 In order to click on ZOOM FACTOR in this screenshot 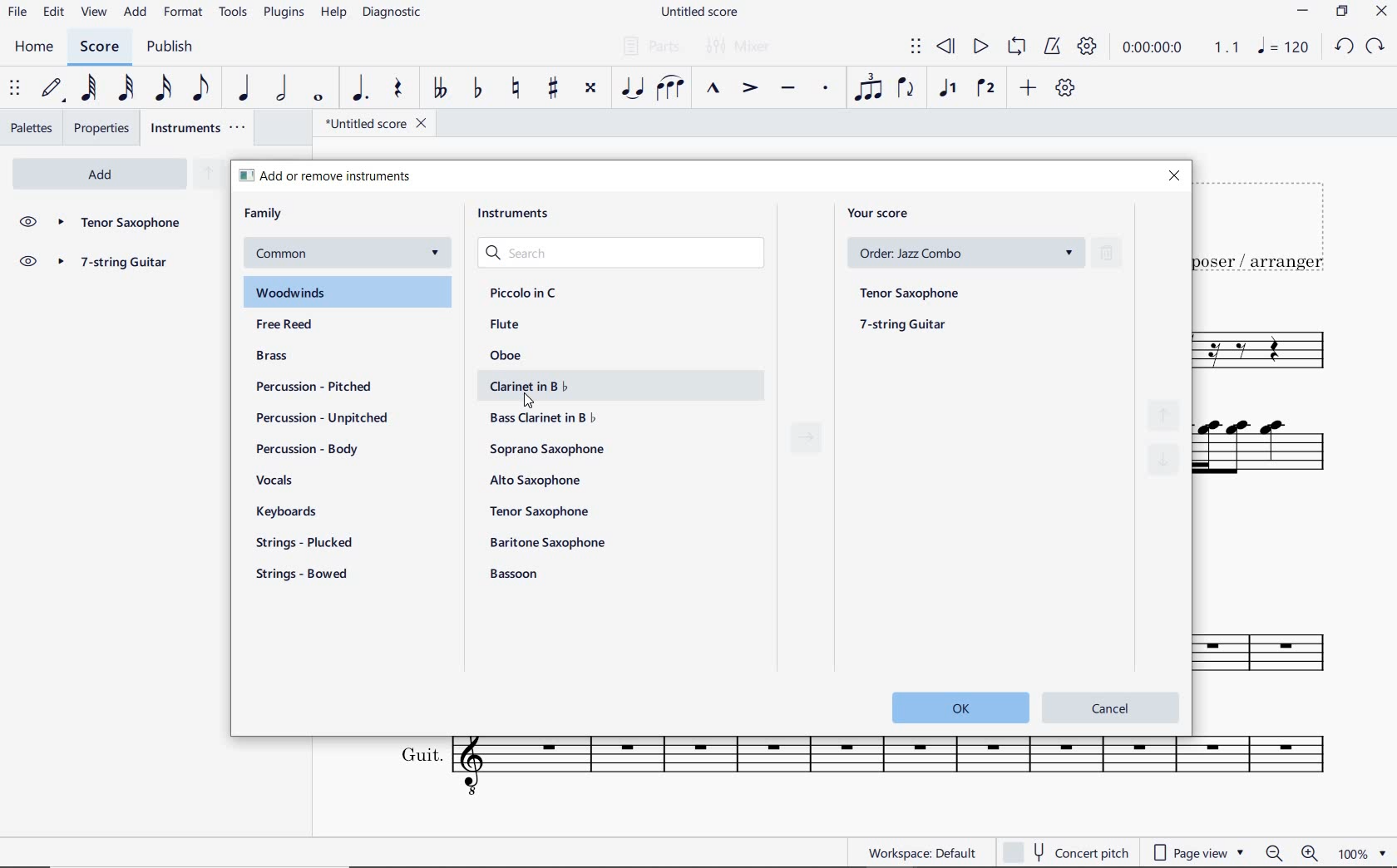, I will do `click(1361, 852)`.